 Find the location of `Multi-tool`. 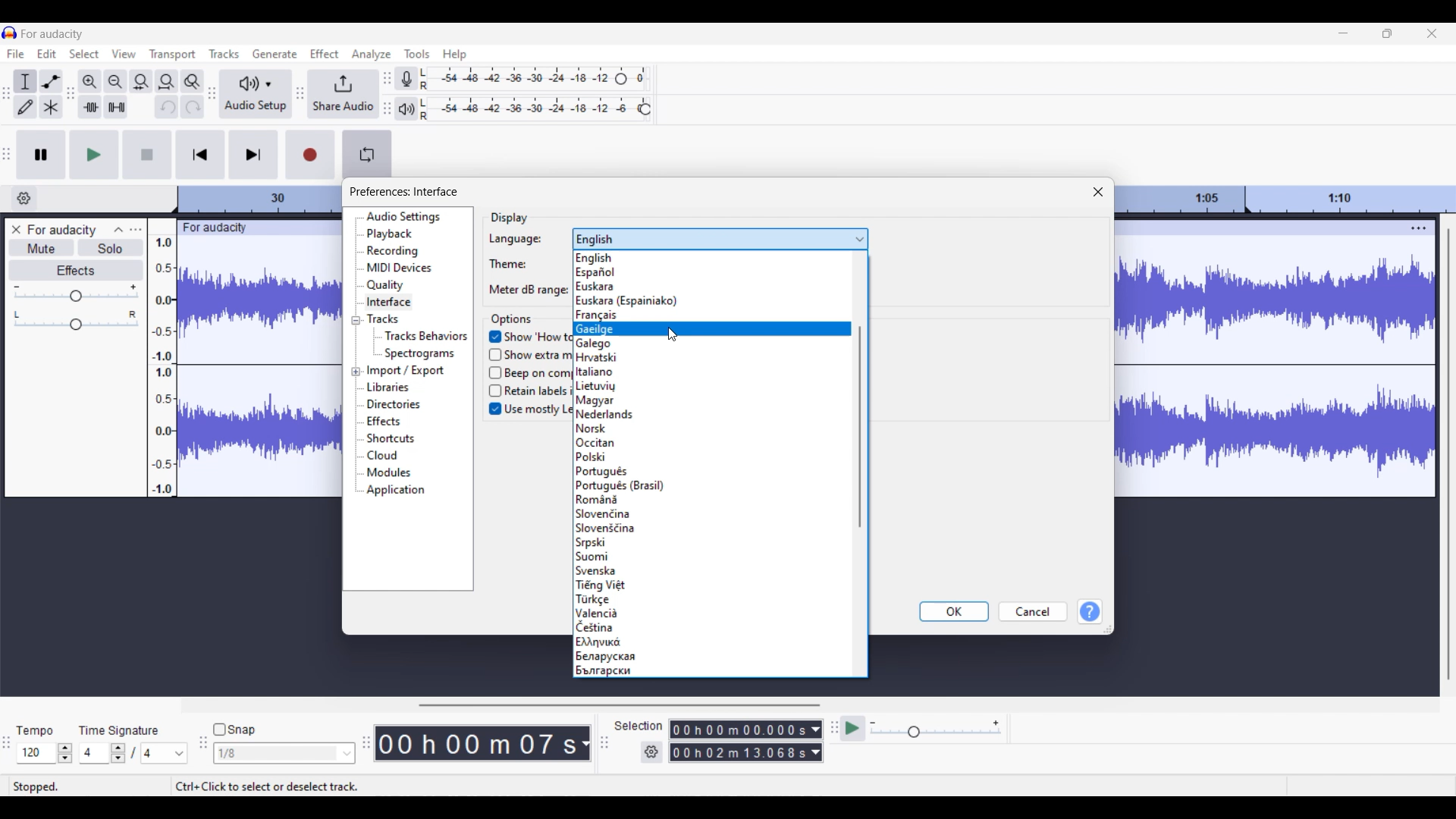

Multi-tool is located at coordinates (51, 106).